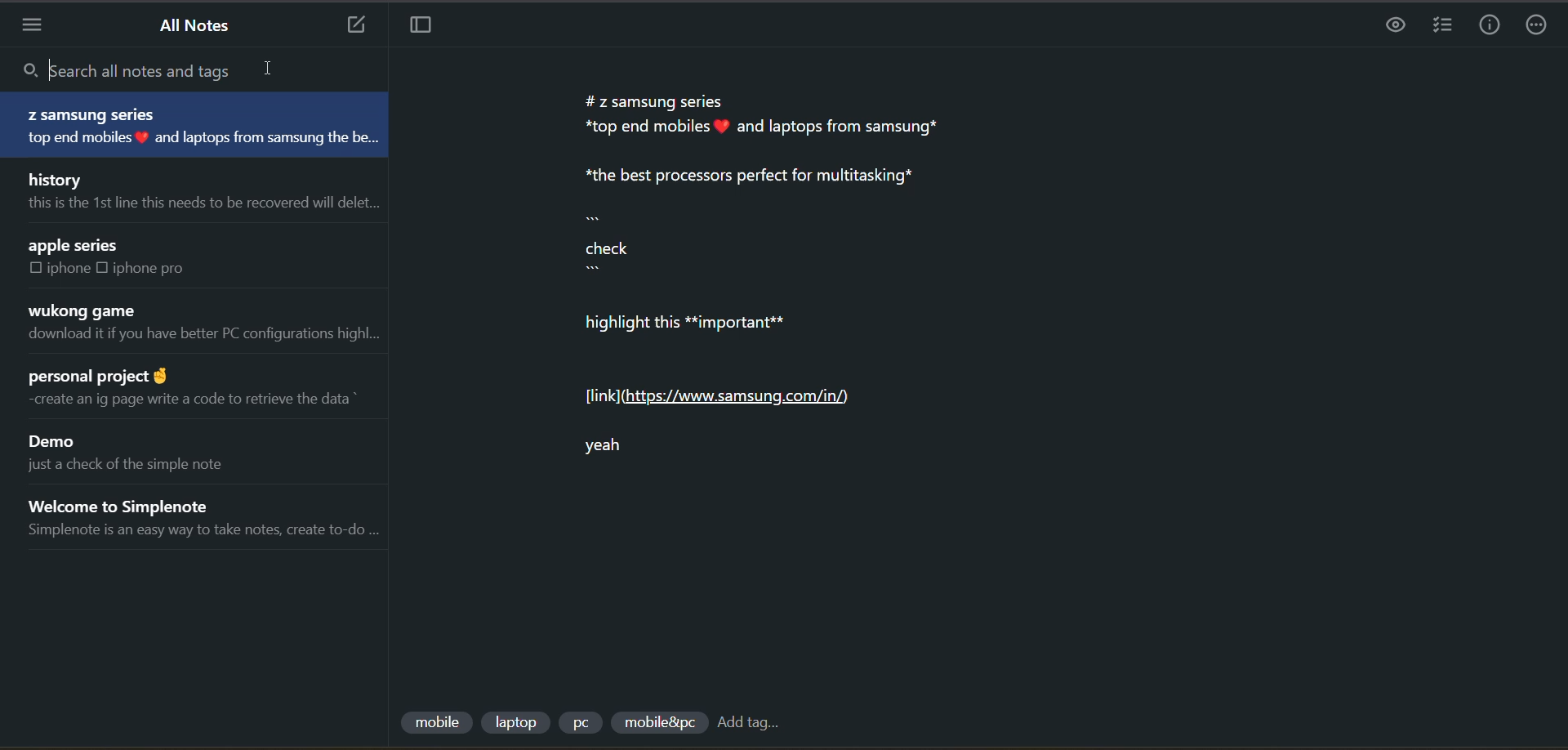 Image resolution: width=1568 pixels, height=750 pixels. I want to click on this is the 1st line this needs to be recovered will delet..., so click(204, 207).